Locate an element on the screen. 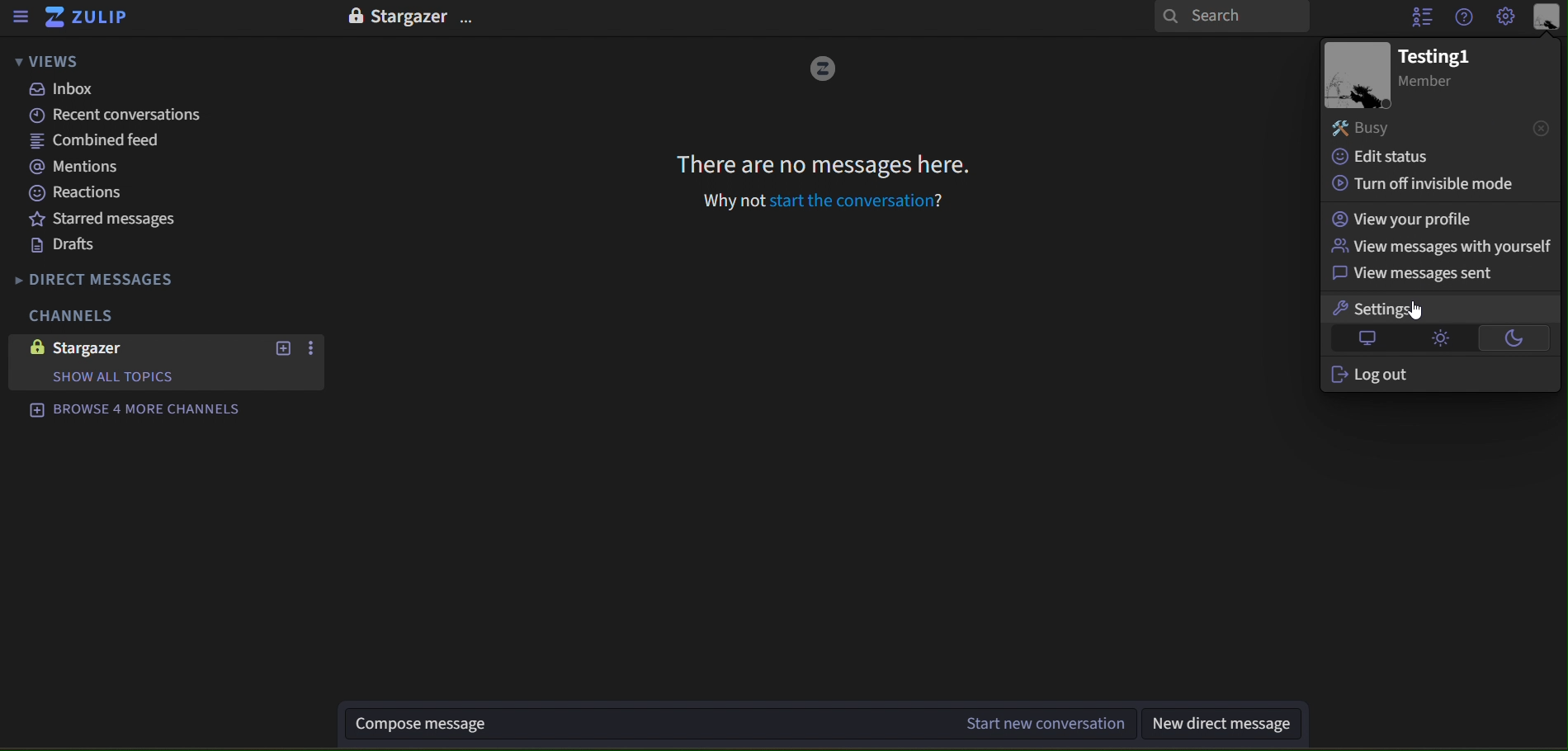 Image resolution: width=1568 pixels, height=751 pixels. settings is located at coordinates (1379, 310).